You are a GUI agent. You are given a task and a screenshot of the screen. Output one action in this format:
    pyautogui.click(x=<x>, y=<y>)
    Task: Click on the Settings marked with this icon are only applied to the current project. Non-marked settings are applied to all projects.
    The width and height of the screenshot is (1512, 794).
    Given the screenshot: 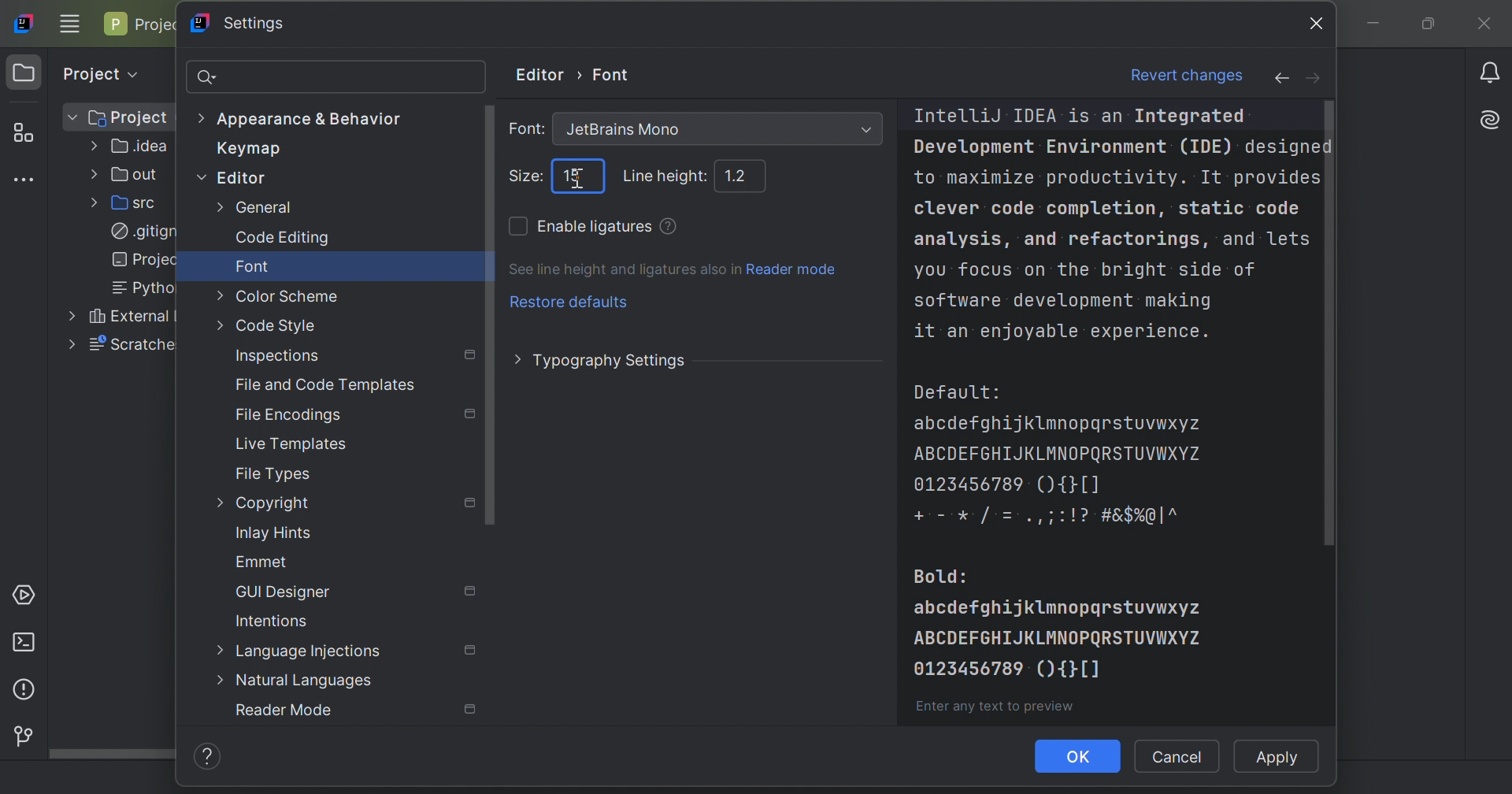 What is the action you would take?
    pyautogui.click(x=470, y=414)
    